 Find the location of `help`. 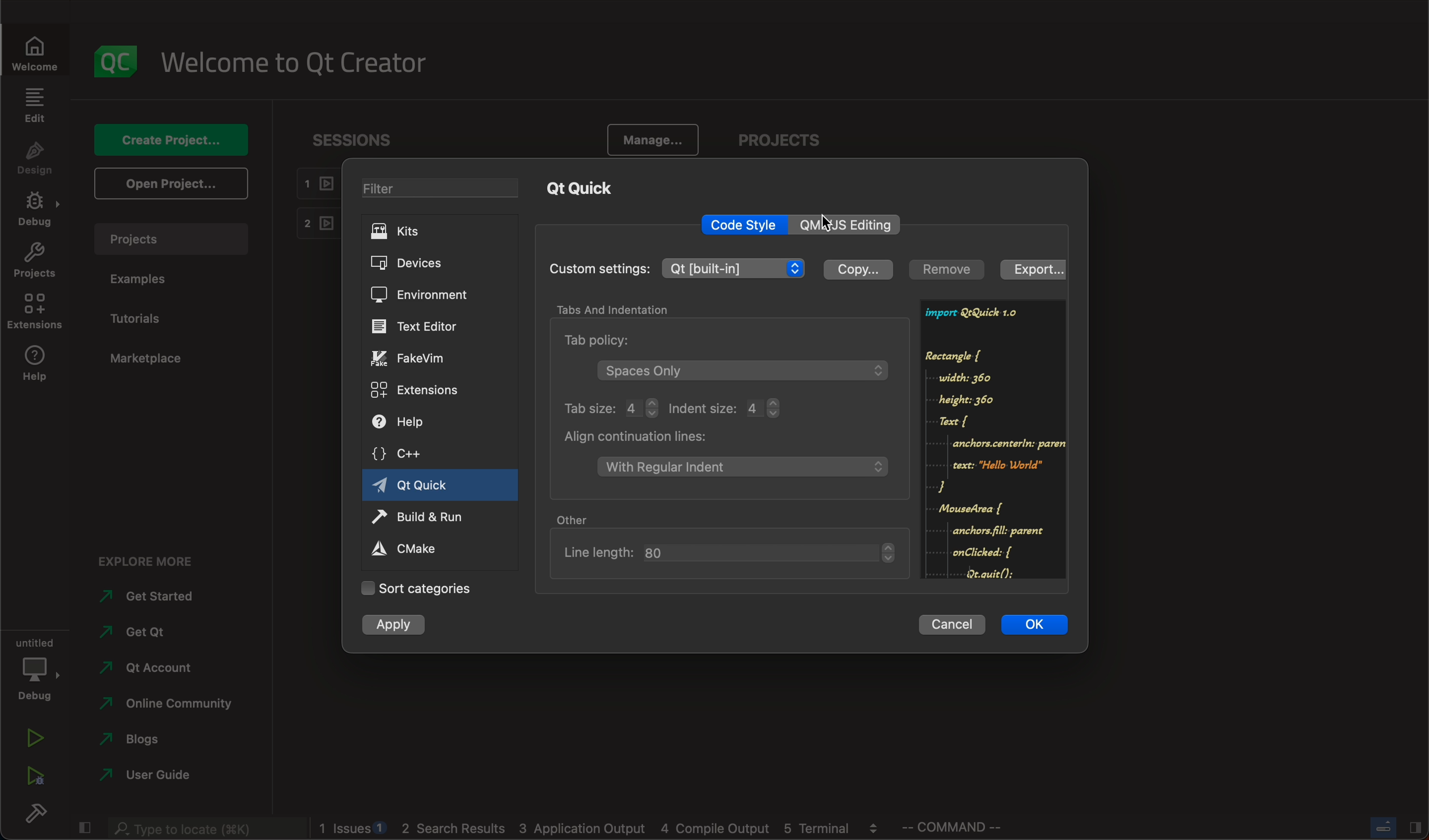

help is located at coordinates (409, 422).